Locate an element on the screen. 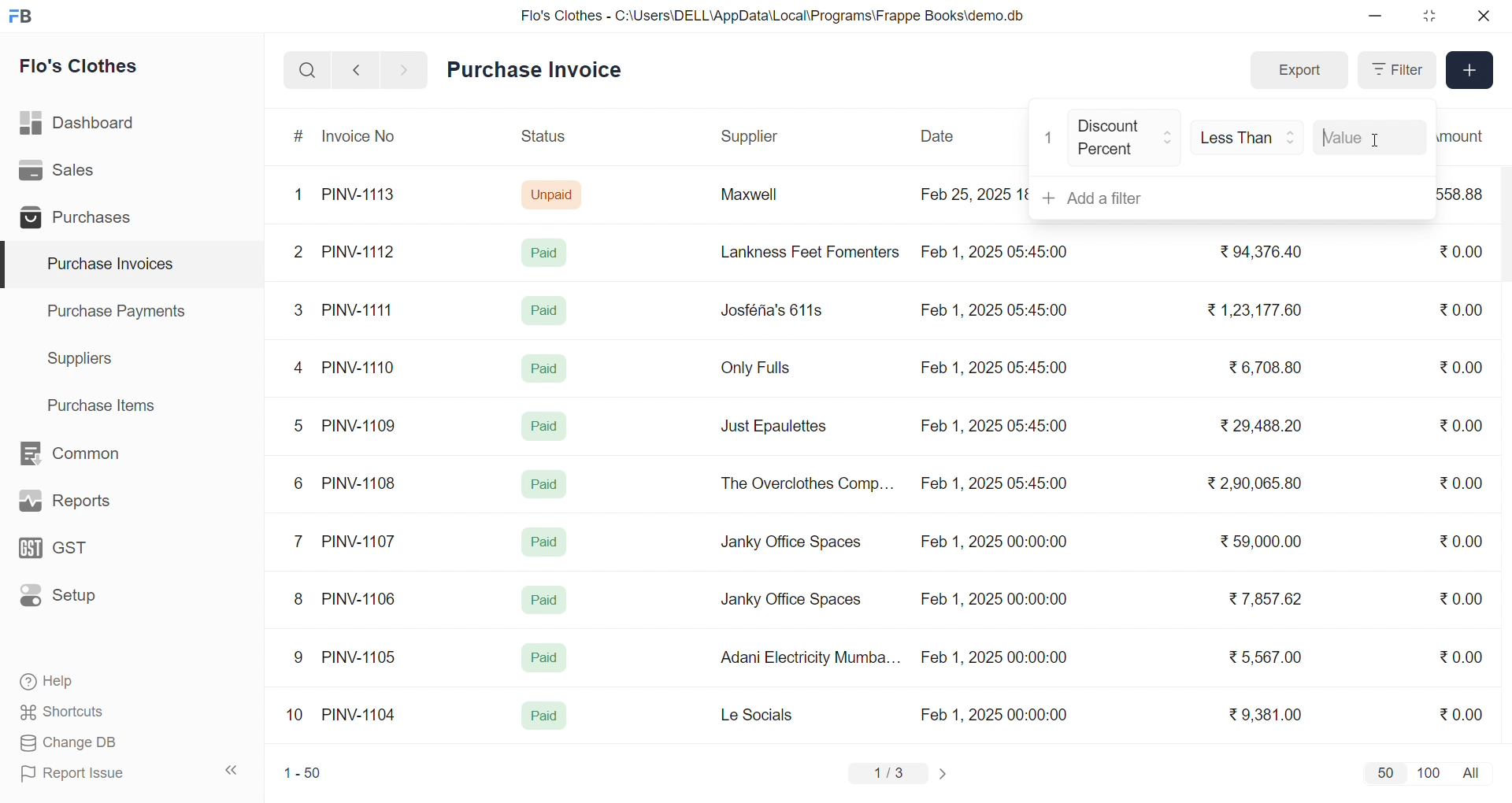  Just Epaulettes is located at coordinates (780, 427).